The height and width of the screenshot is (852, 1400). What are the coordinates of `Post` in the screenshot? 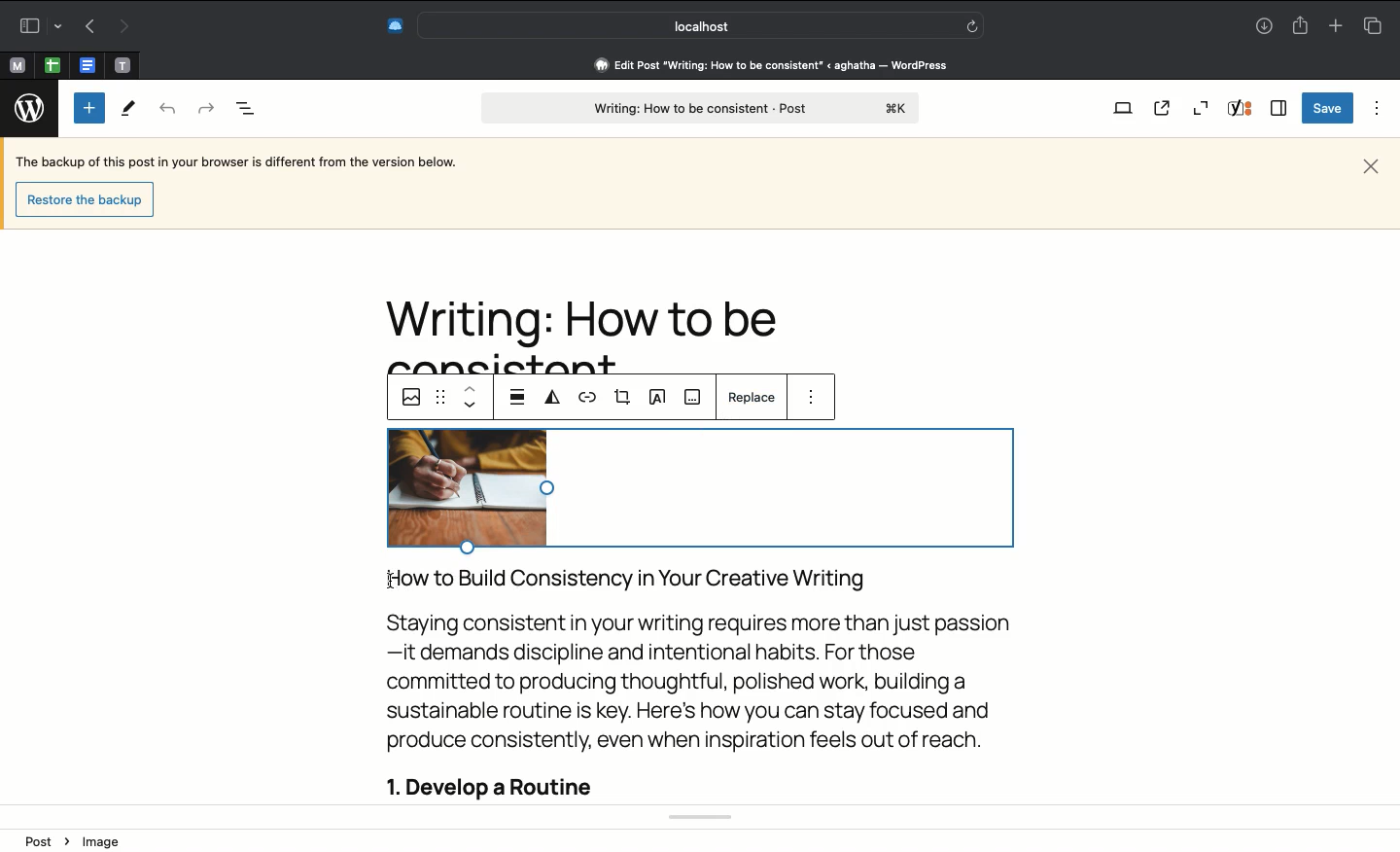 It's located at (696, 108).